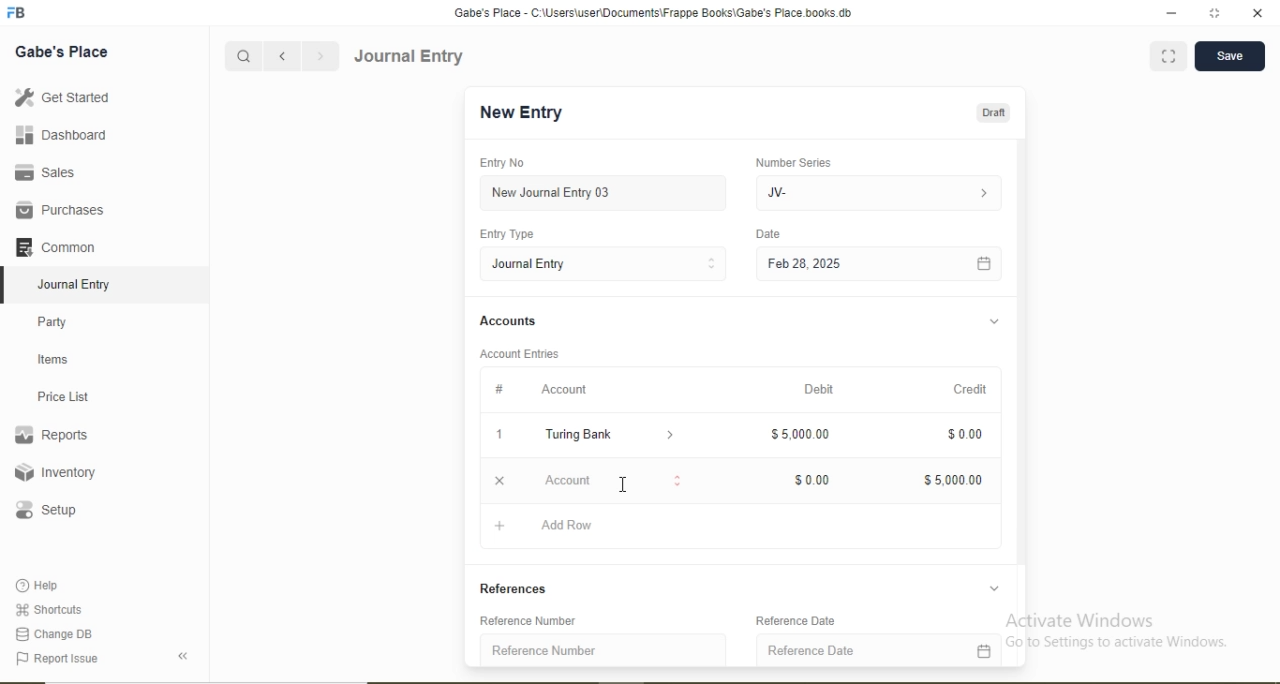  Describe the element at coordinates (1259, 13) in the screenshot. I see `close` at that location.